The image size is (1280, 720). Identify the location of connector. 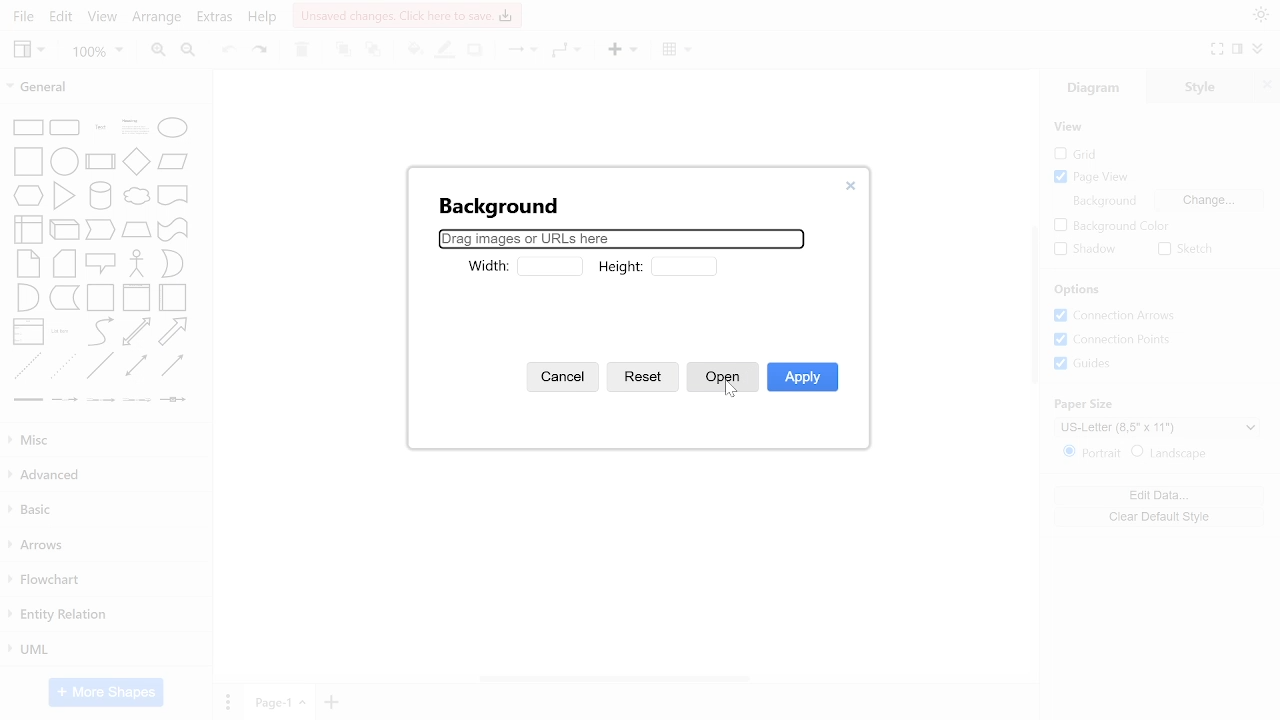
(518, 52).